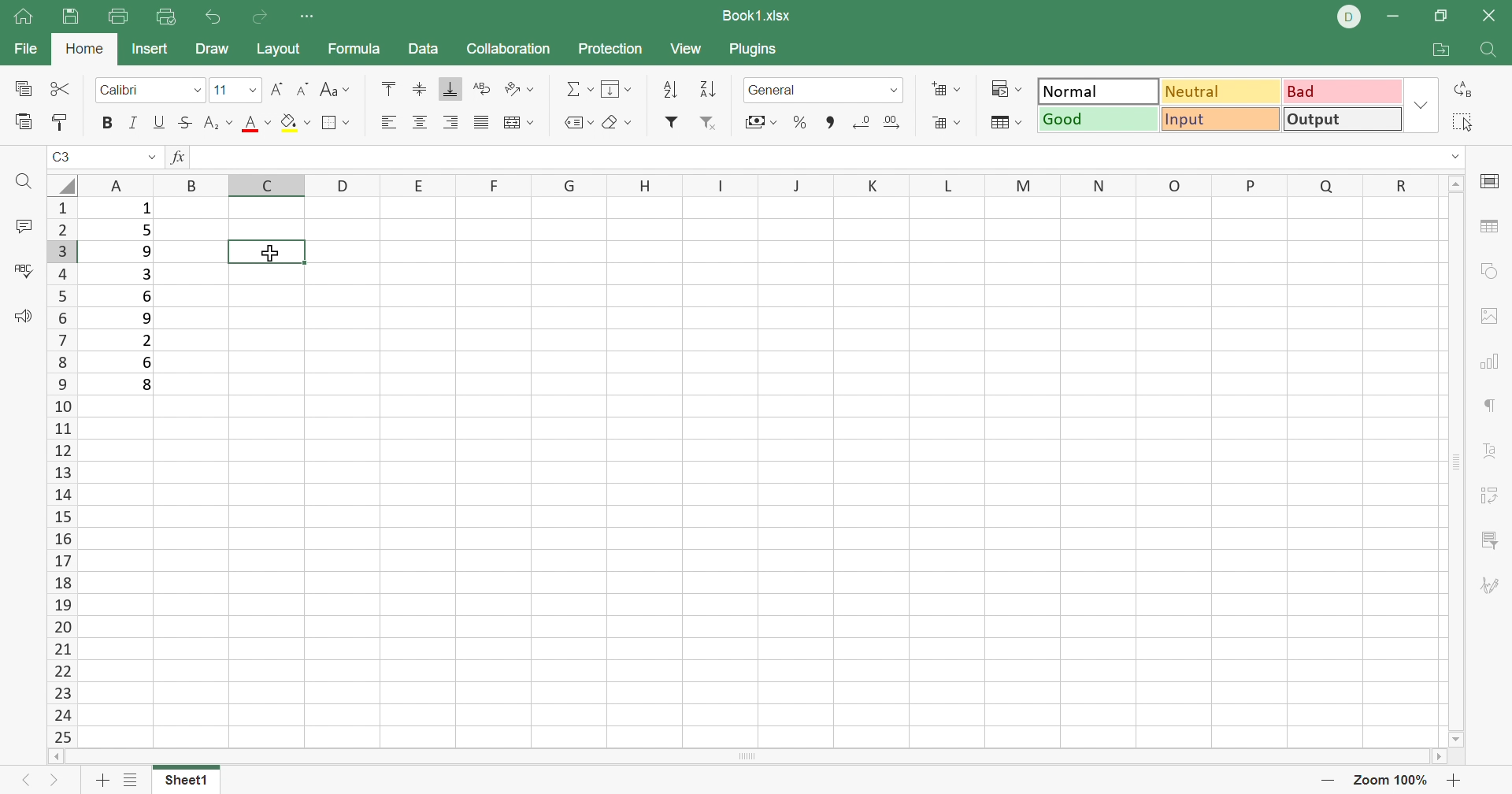 This screenshot has width=1512, height=794. What do you see at coordinates (765, 186) in the screenshot?
I see `Row` at bounding box center [765, 186].